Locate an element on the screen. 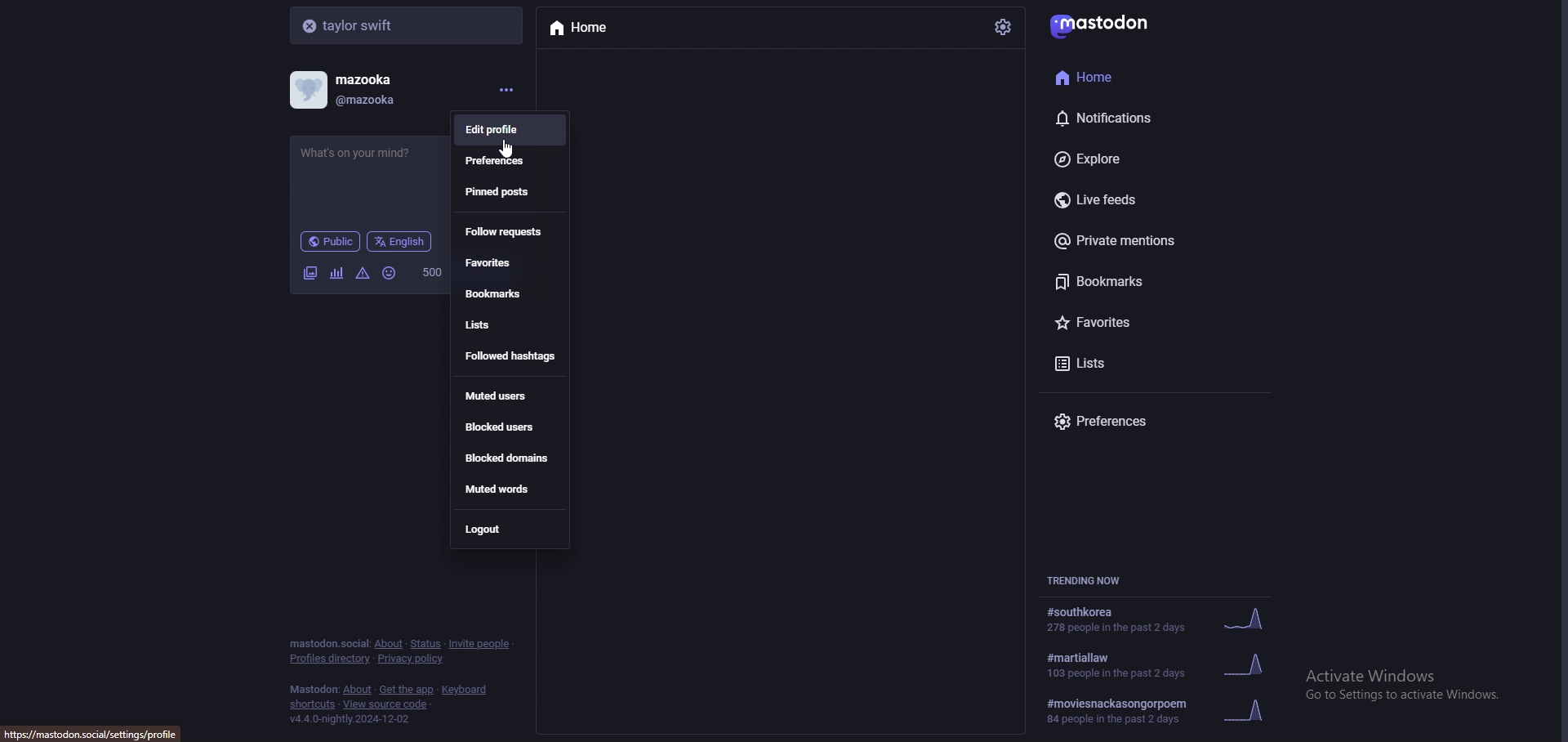 The width and height of the screenshot is (1568, 742). more options is located at coordinates (505, 89).